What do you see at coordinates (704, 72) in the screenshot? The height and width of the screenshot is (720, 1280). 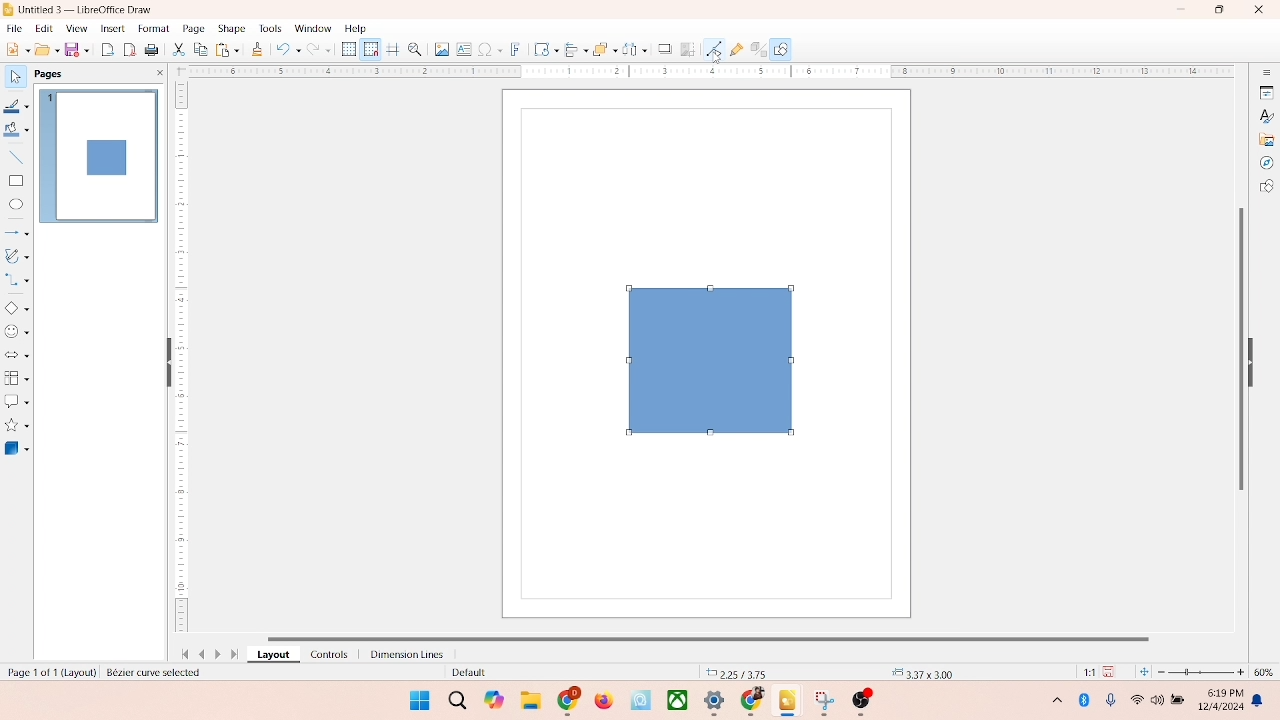 I see `scale bar` at bounding box center [704, 72].